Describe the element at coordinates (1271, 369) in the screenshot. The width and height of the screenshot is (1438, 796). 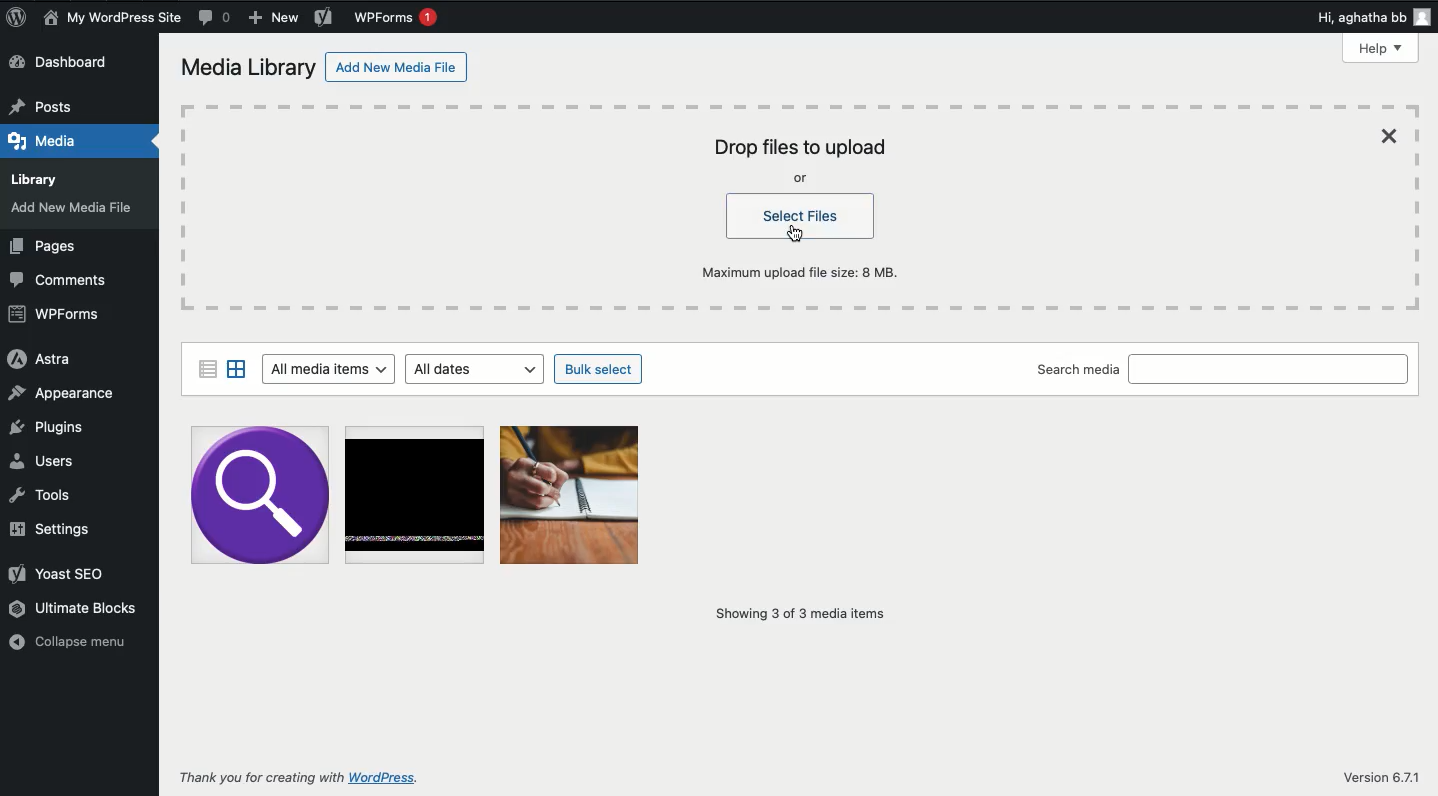
I see `Search` at that location.